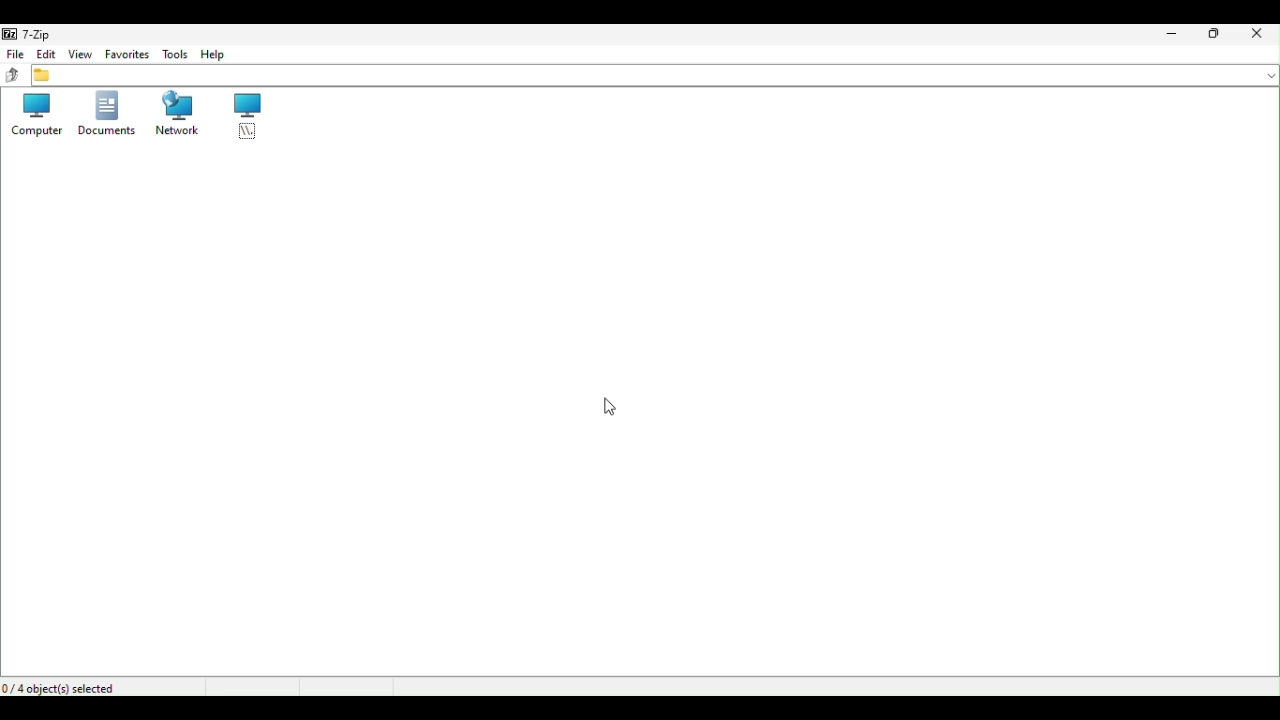  Describe the element at coordinates (606, 405) in the screenshot. I see `Mouse` at that location.